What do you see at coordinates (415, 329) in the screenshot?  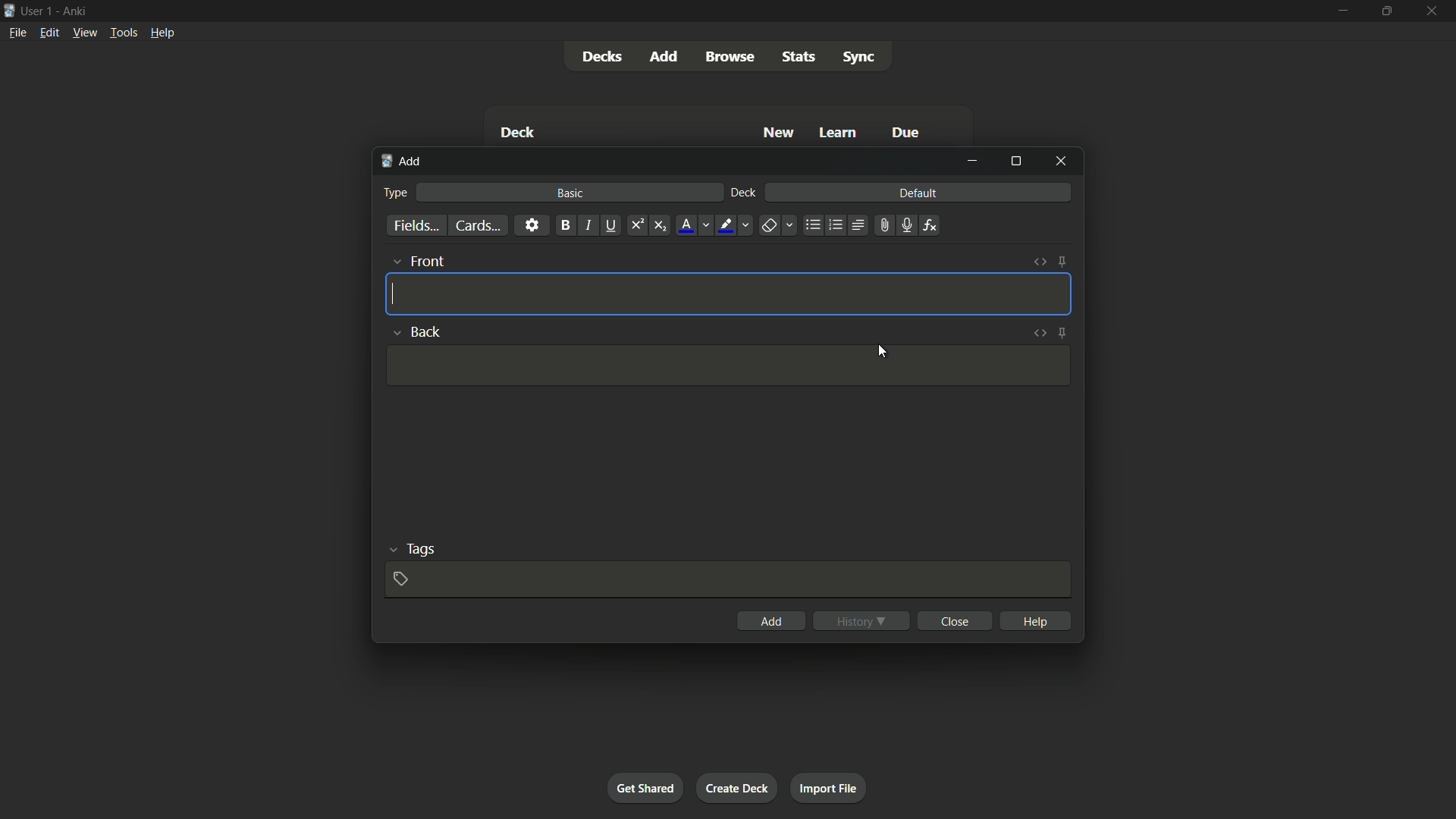 I see `back` at bounding box center [415, 329].